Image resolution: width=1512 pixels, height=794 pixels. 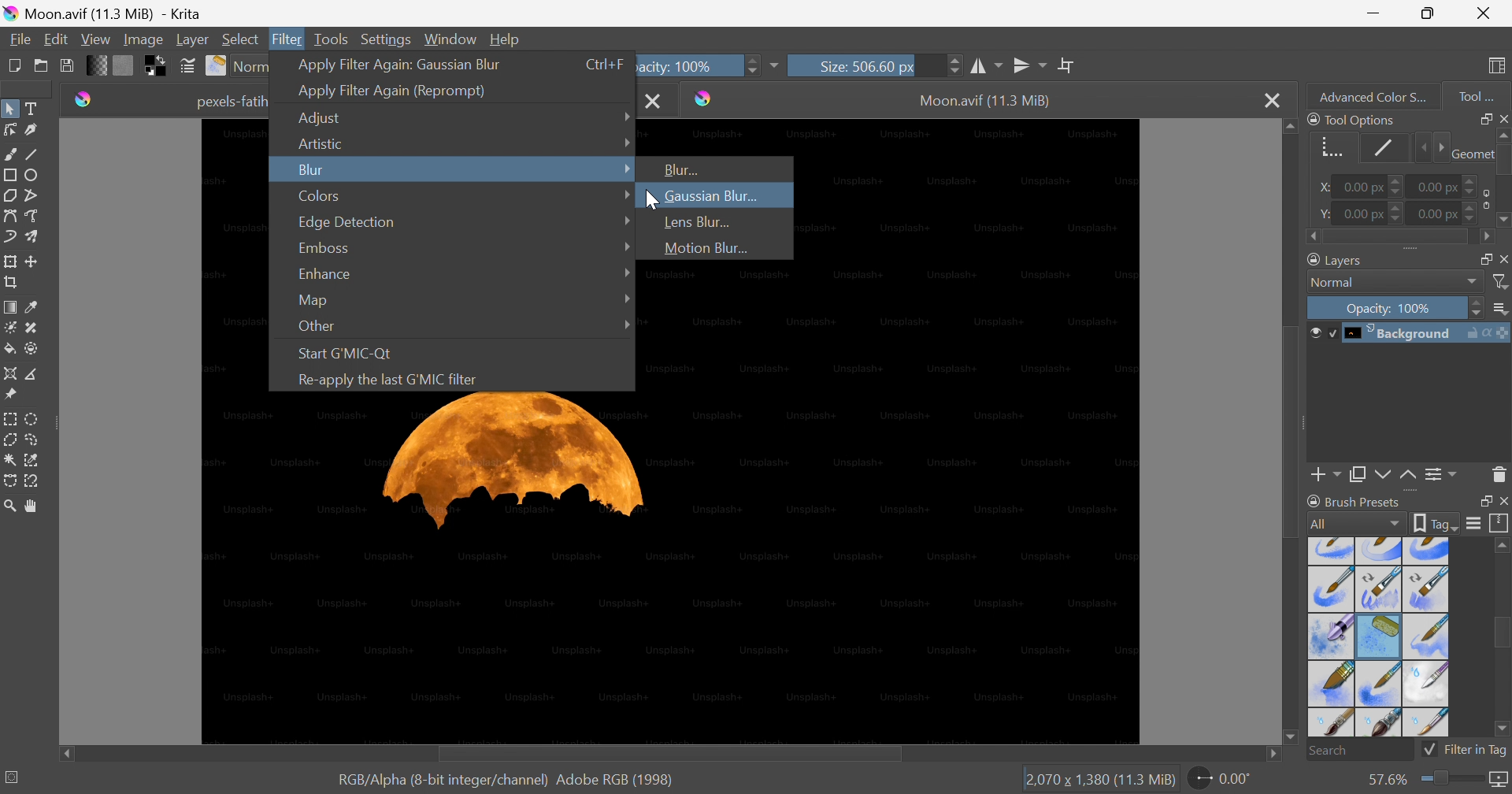 I want to click on Map, so click(x=311, y=299).